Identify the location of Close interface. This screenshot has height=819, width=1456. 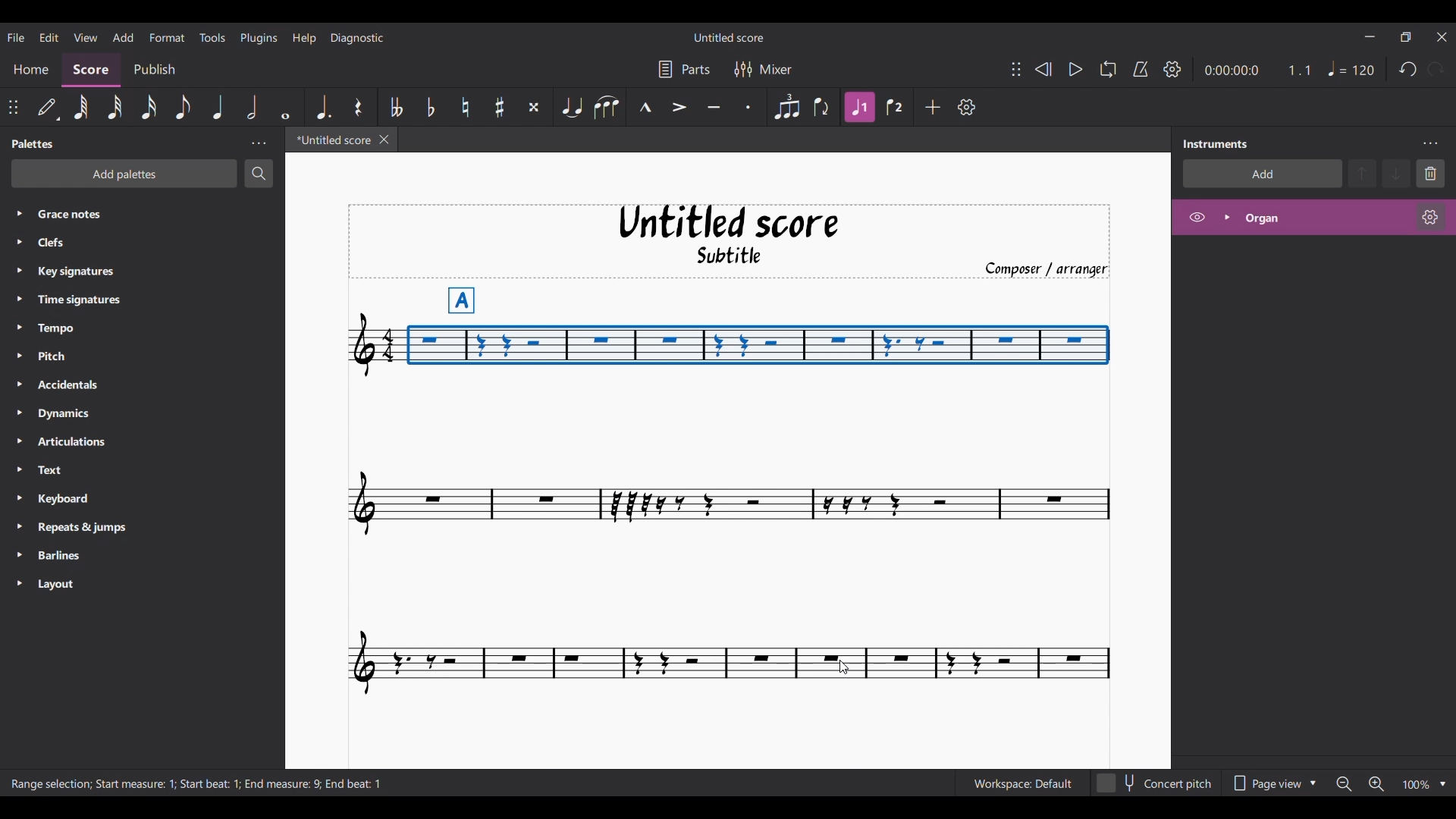
(1442, 37).